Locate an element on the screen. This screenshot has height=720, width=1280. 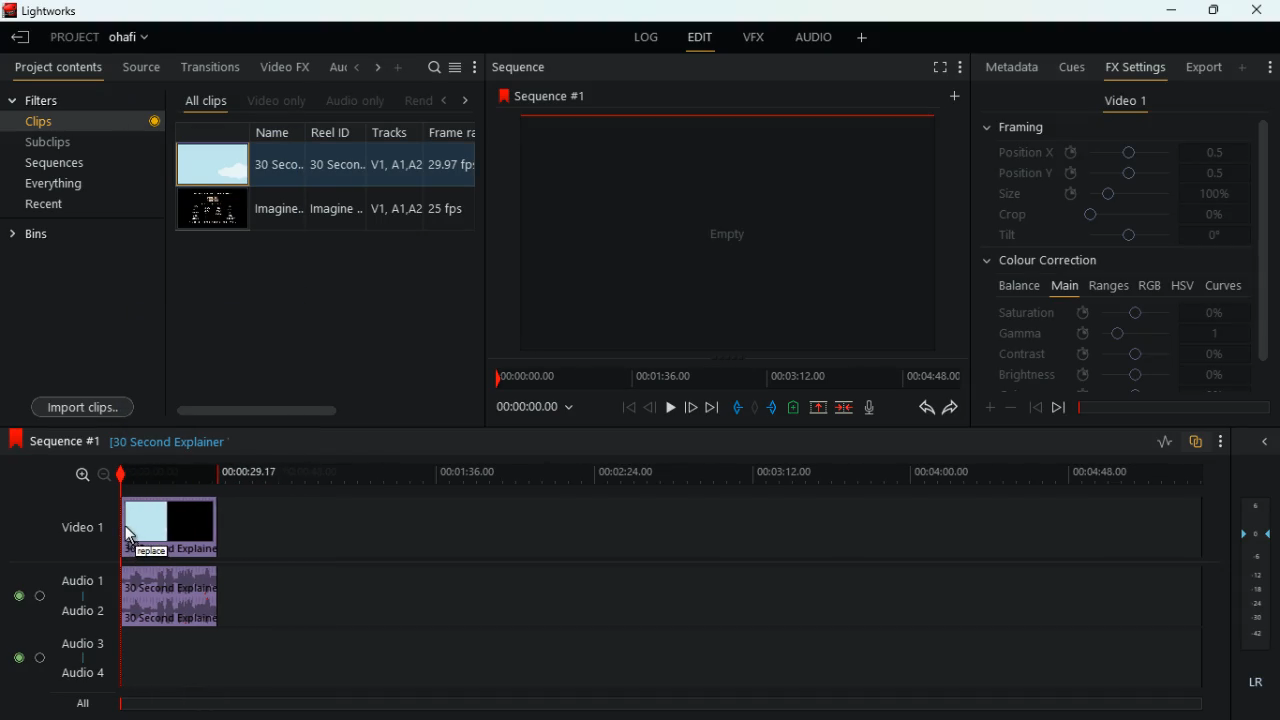
edit is located at coordinates (700, 38).